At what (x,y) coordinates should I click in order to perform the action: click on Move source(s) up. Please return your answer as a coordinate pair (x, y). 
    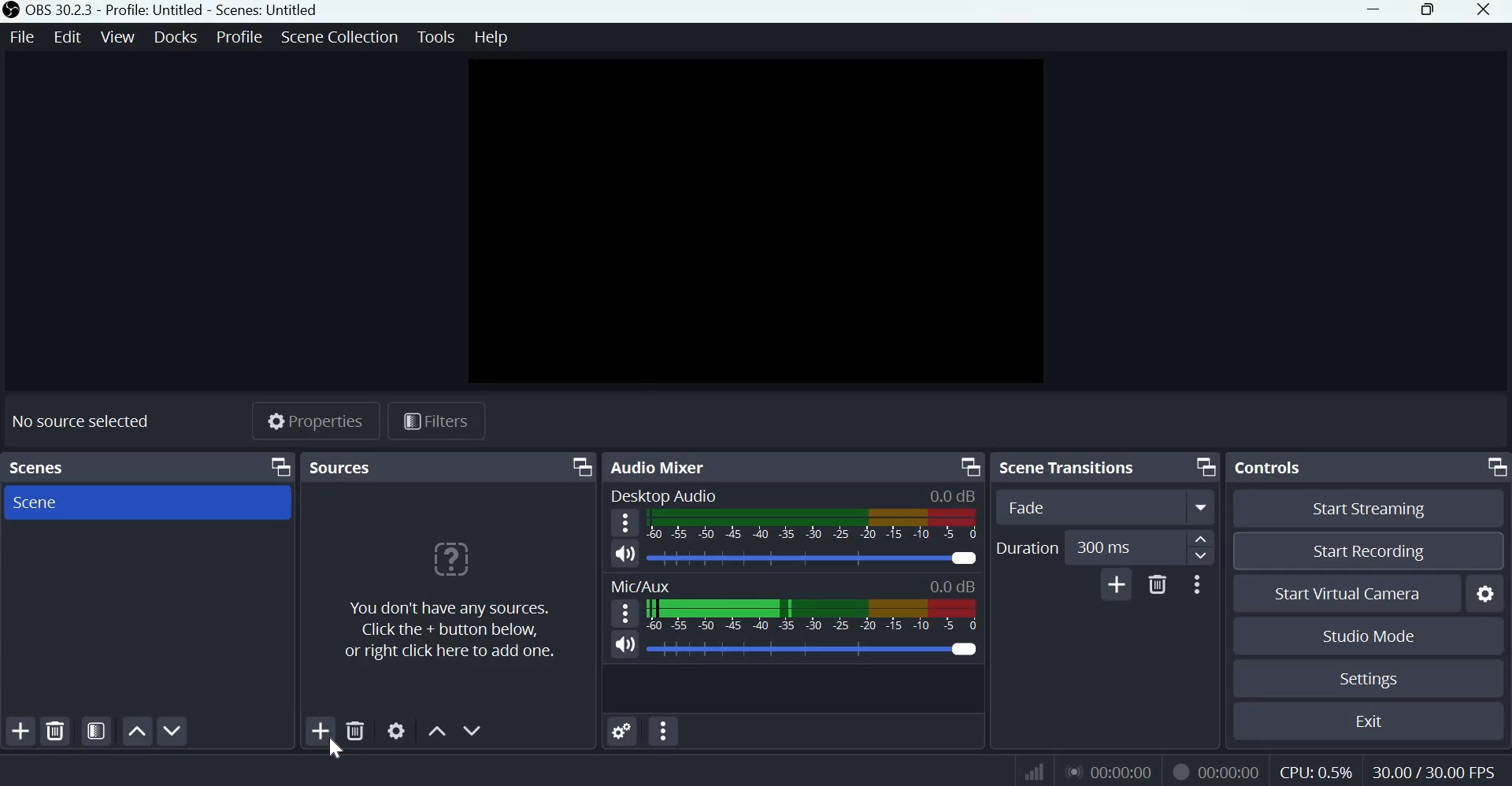
    Looking at the image, I should click on (435, 730).